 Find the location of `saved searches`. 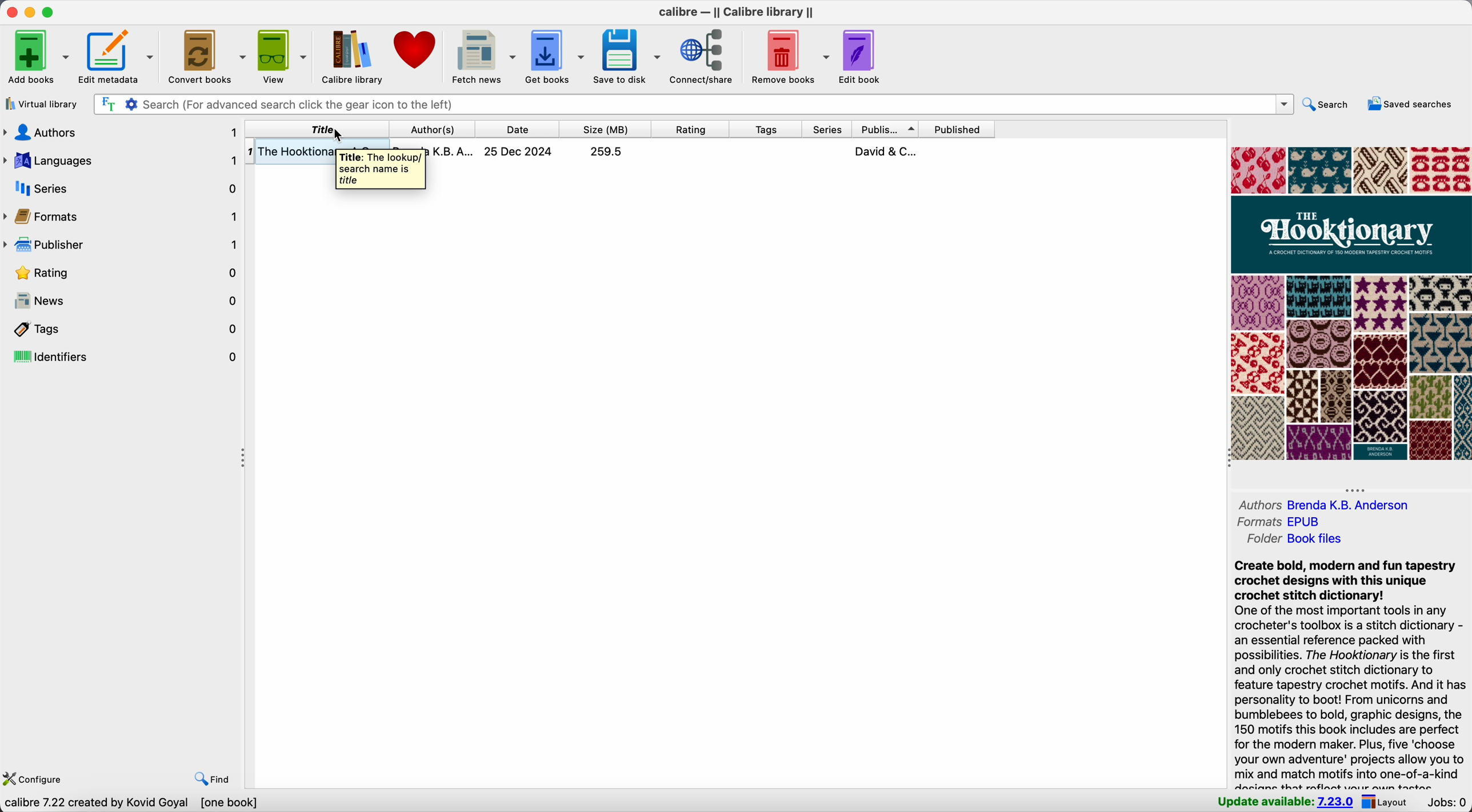

saved searches is located at coordinates (1413, 103).